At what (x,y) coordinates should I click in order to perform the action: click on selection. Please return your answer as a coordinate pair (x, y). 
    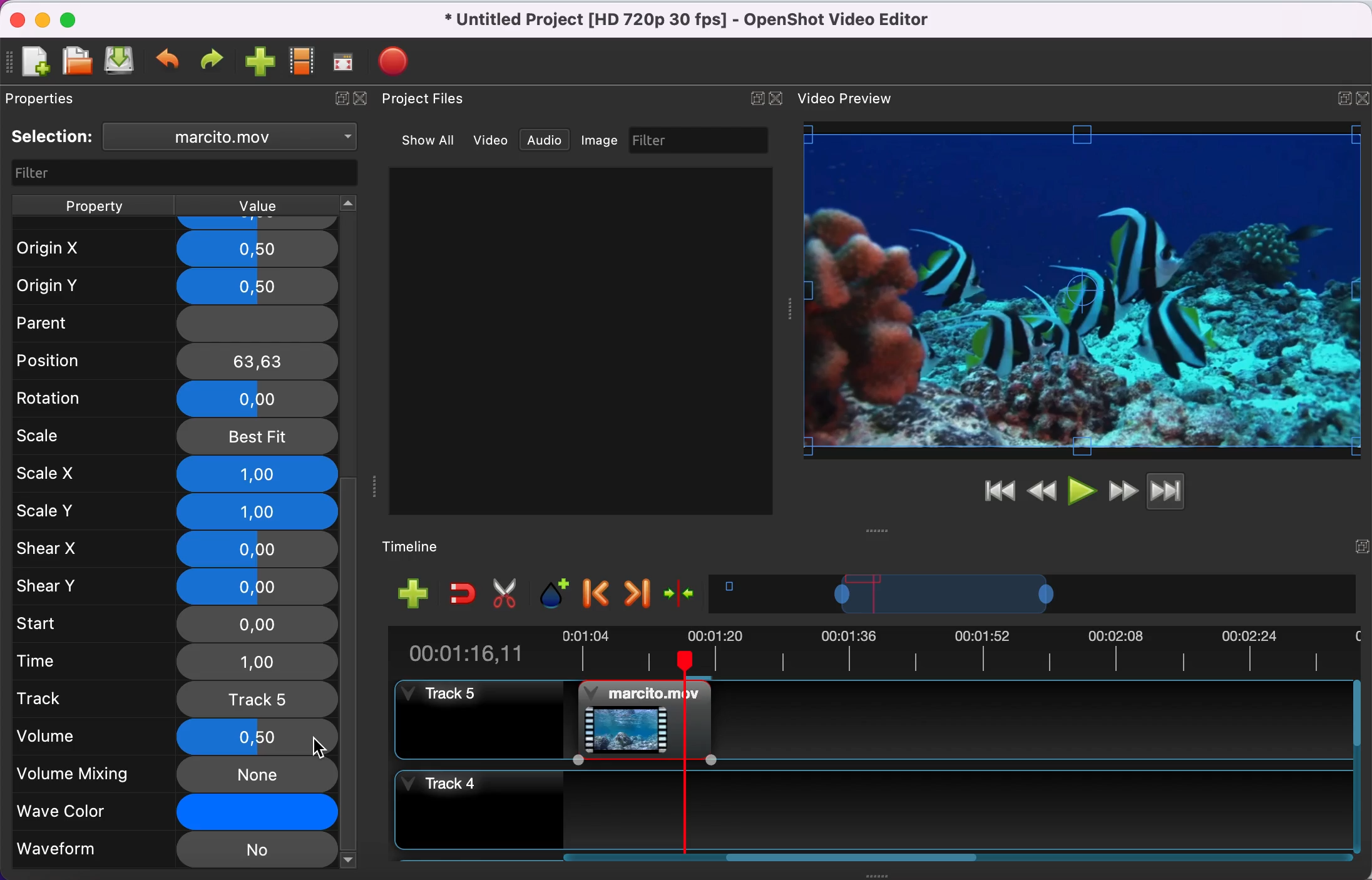
    Looking at the image, I should click on (54, 137).